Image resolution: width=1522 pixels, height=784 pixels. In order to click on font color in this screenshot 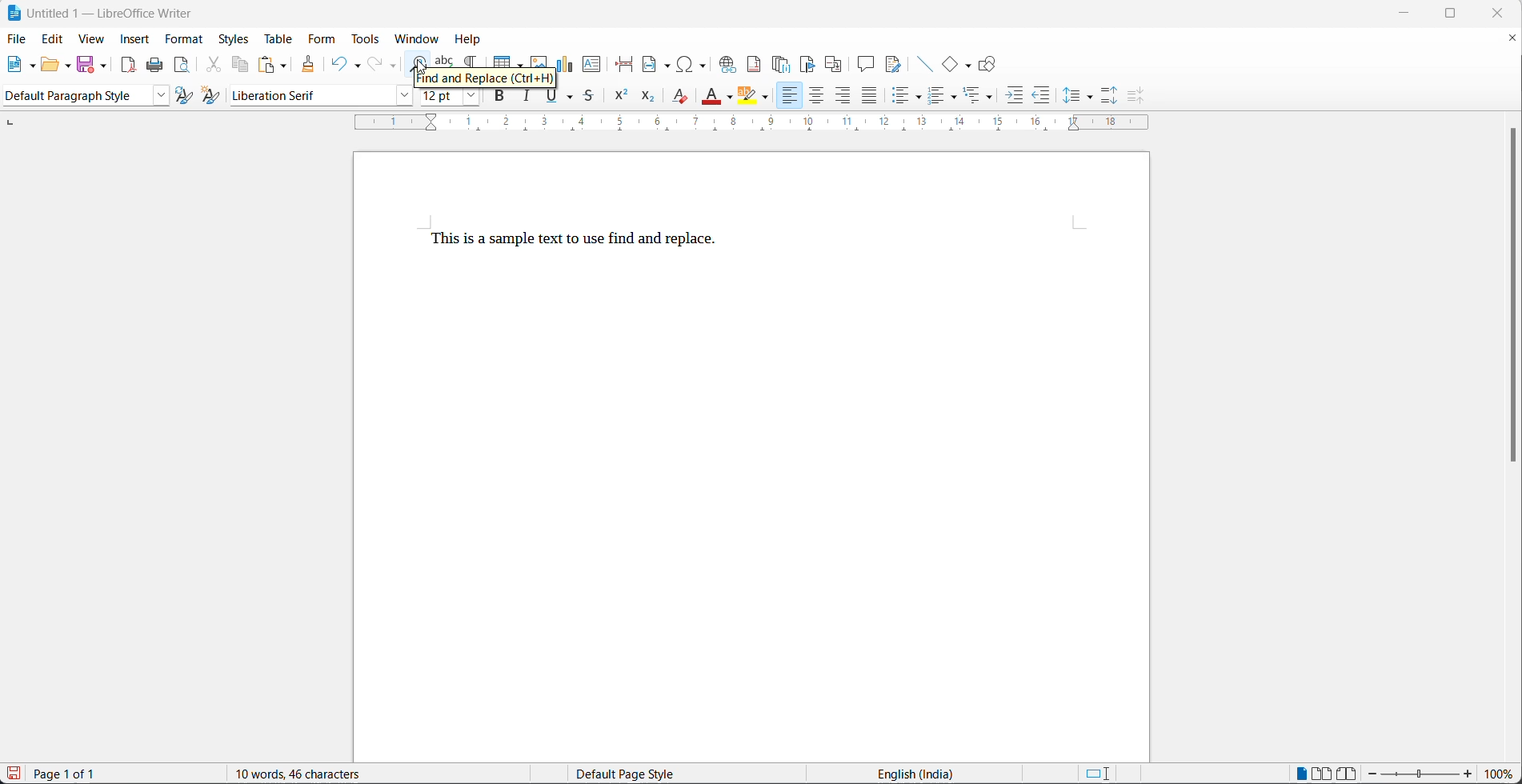, I will do `click(730, 98)`.